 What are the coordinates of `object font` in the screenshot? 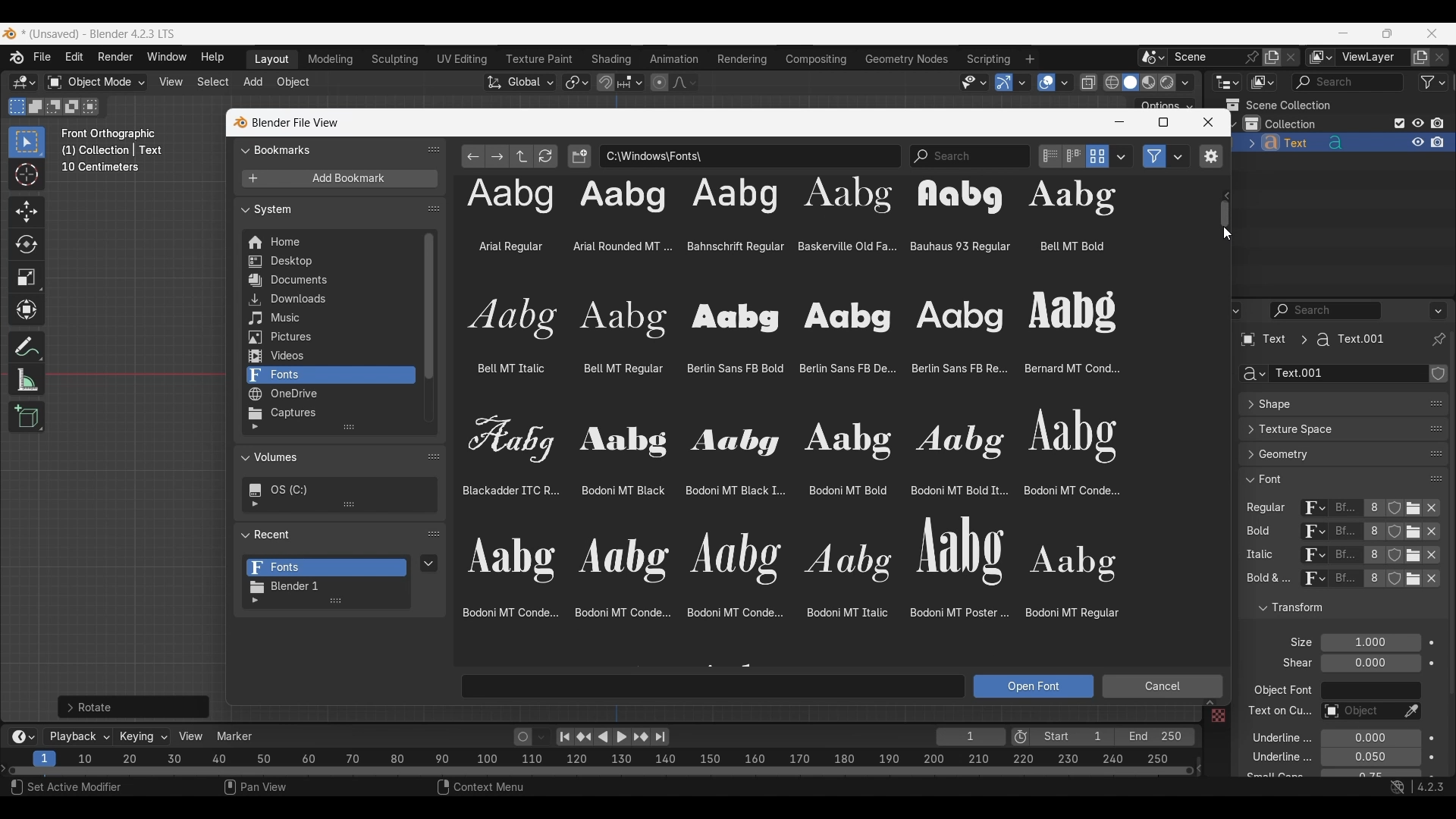 It's located at (1282, 692).